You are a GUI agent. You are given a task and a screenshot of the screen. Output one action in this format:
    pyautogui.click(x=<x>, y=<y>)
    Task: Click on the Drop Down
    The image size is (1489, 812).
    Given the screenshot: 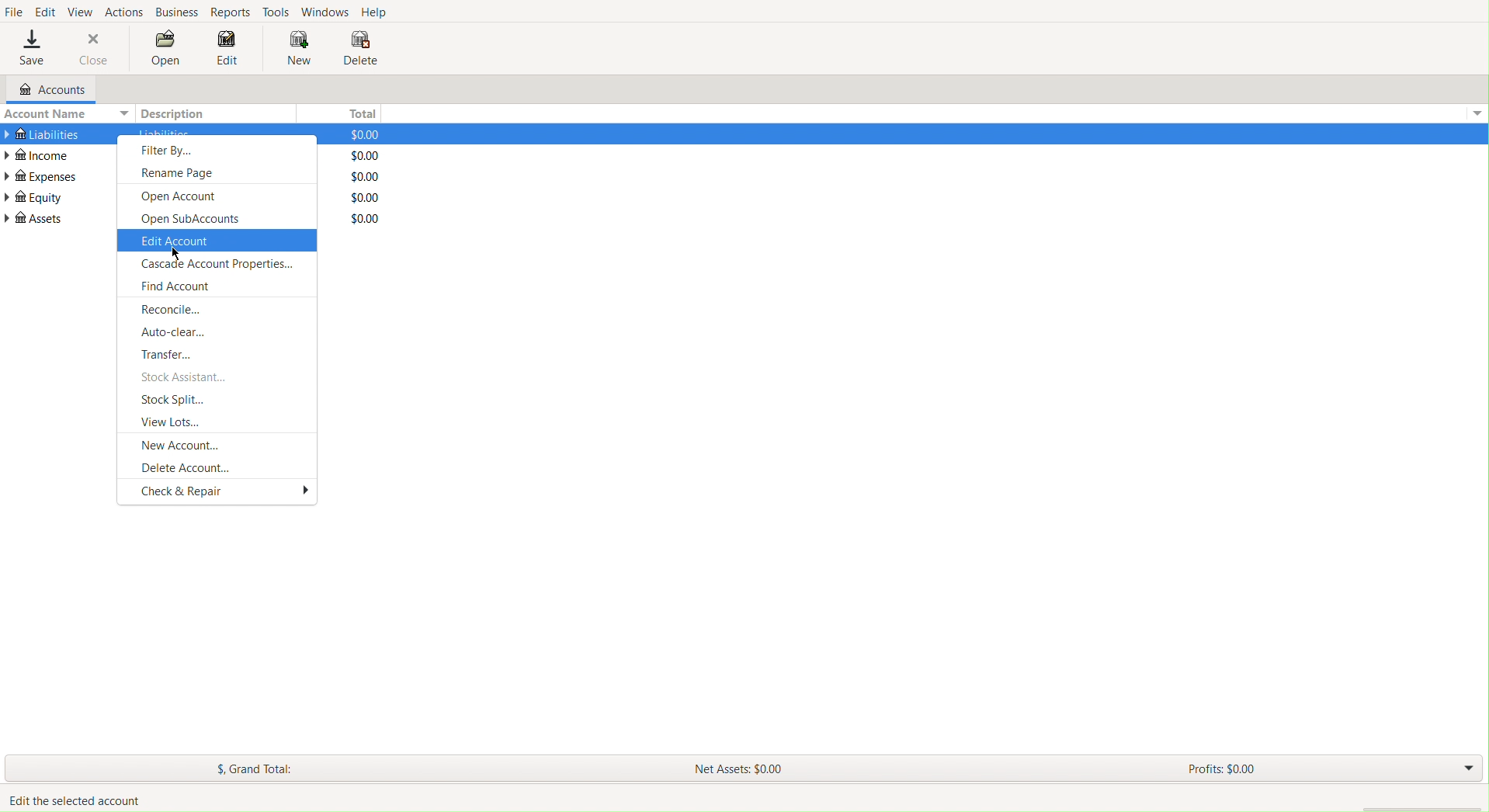 What is the action you would take?
    pyautogui.click(x=1466, y=769)
    